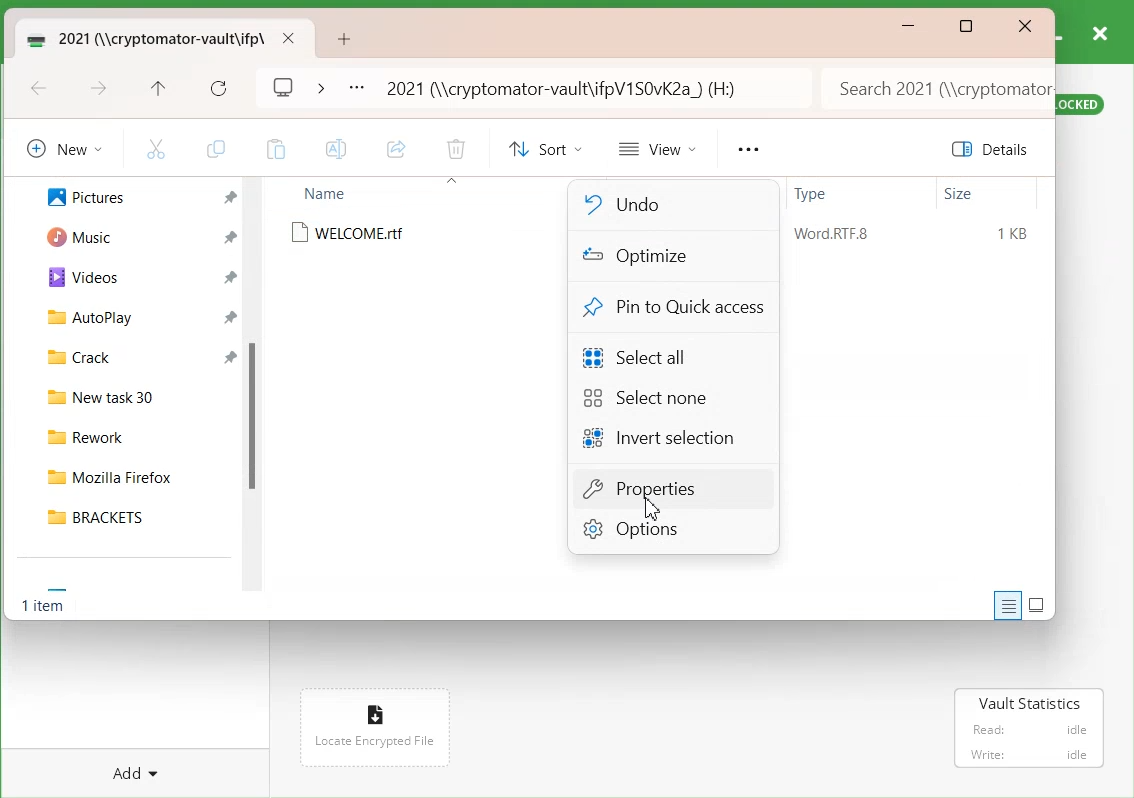  Describe the element at coordinates (231, 316) in the screenshot. I see `Pin a file` at that location.